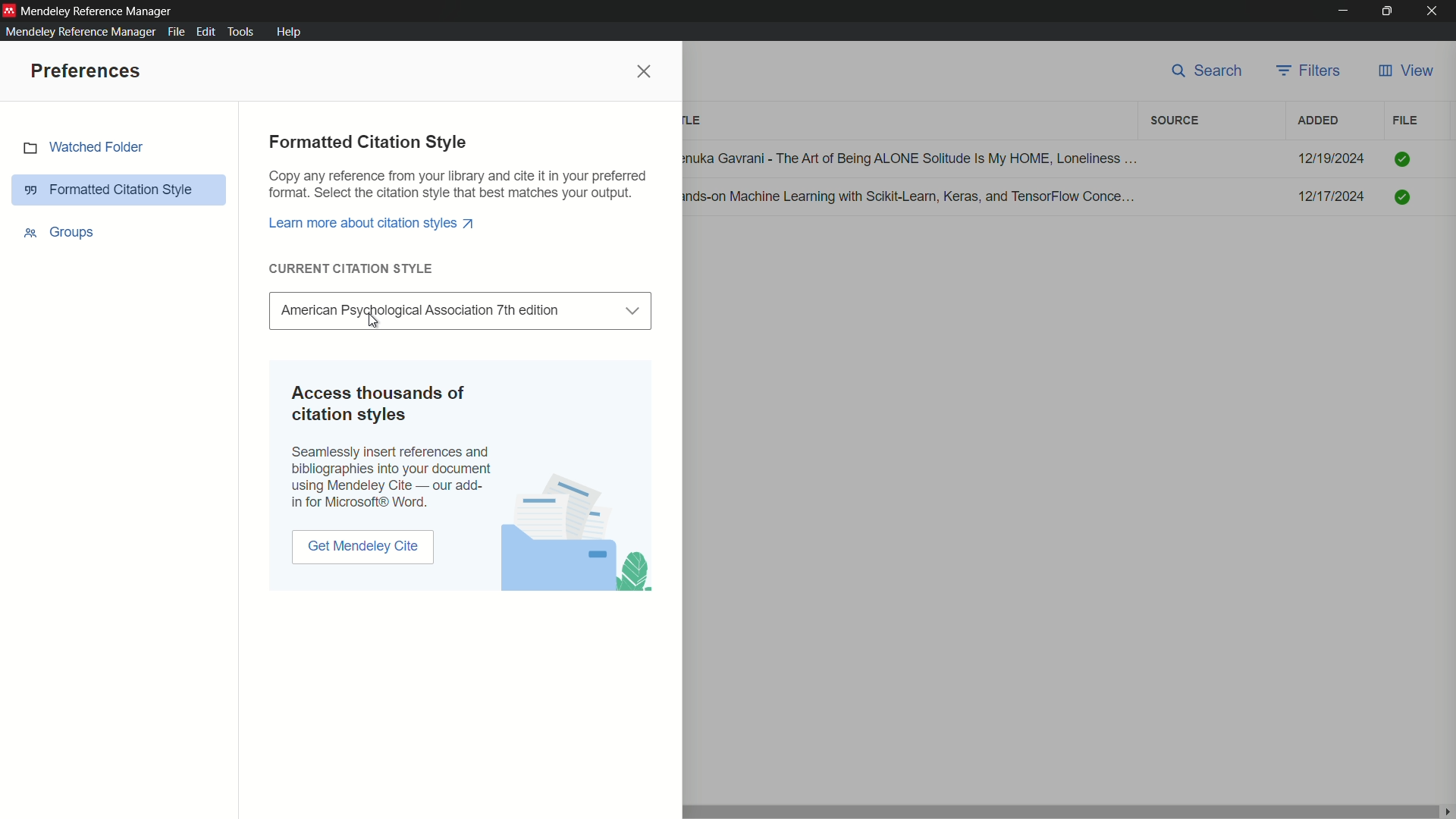  I want to click on added, so click(1319, 121).